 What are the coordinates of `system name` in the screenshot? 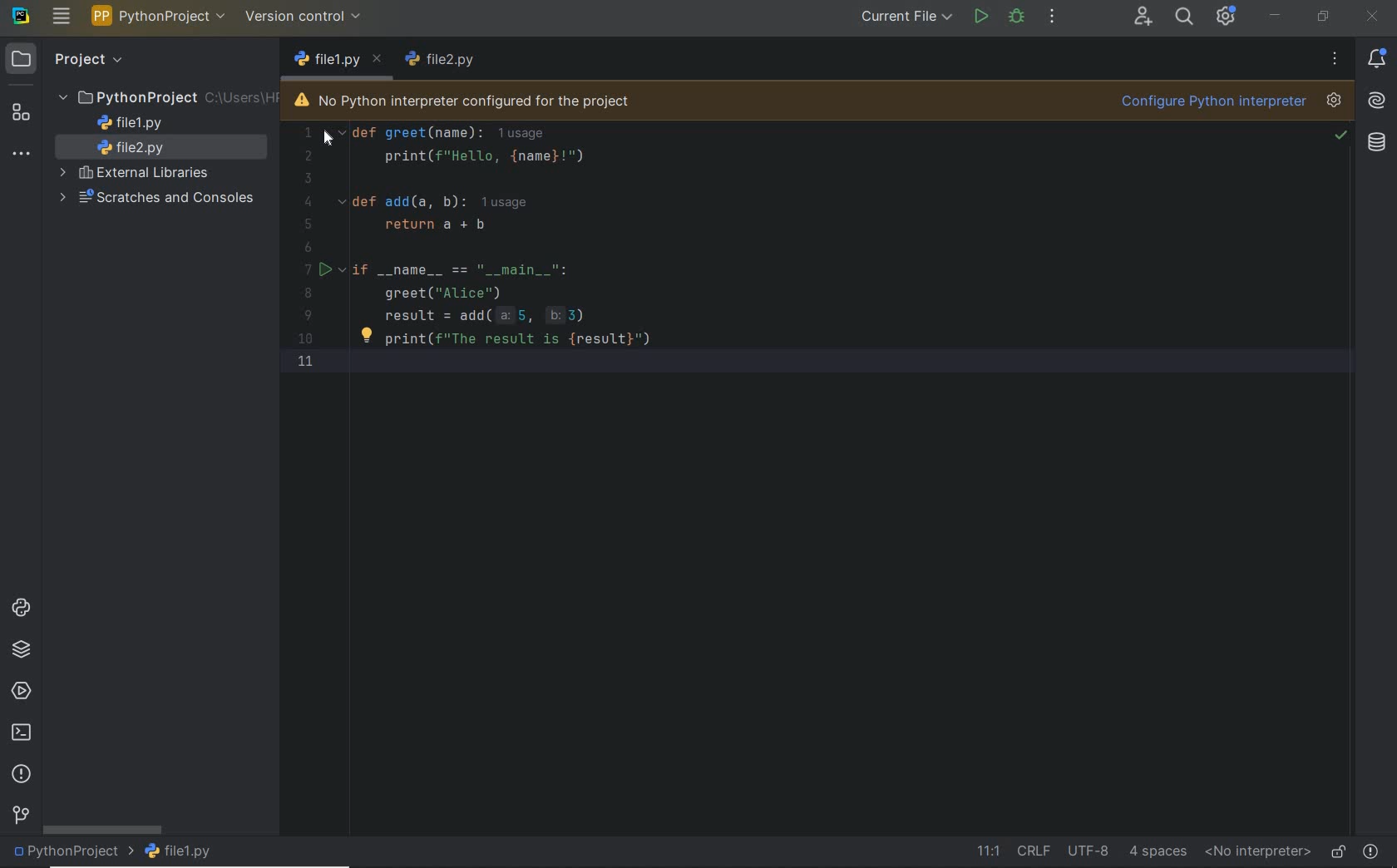 It's located at (22, 16).